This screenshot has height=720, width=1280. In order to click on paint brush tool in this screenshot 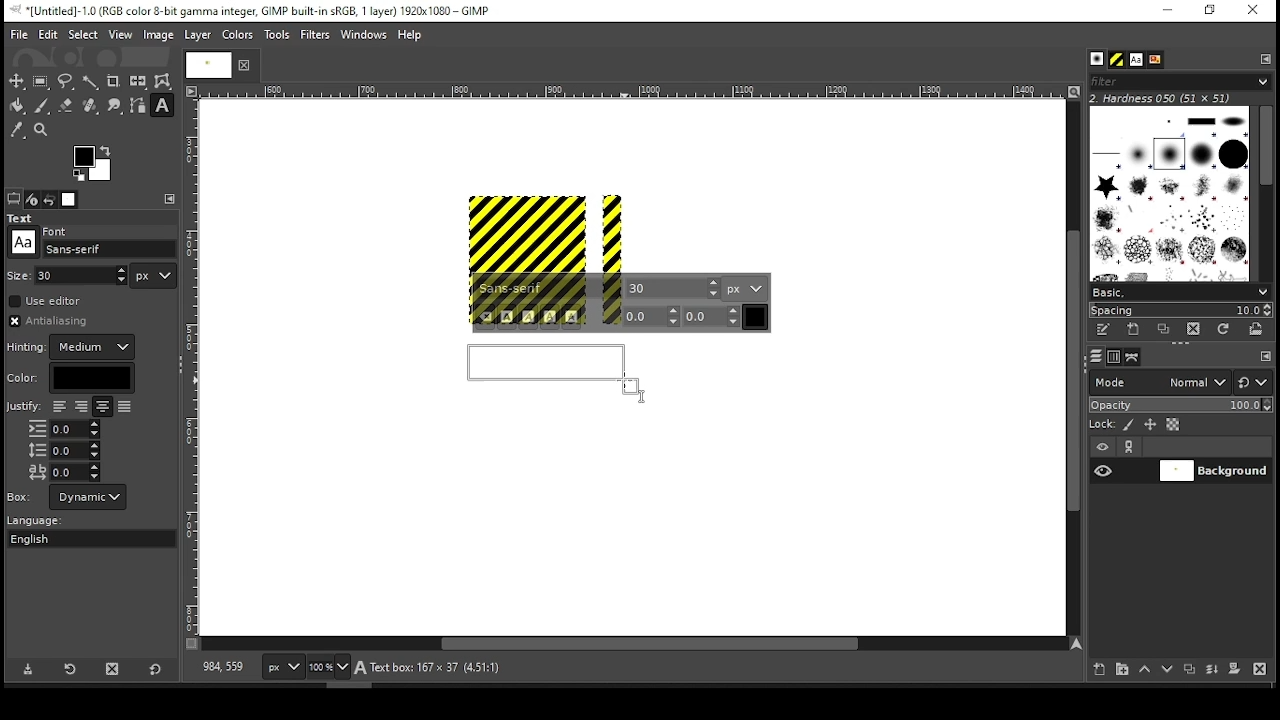, I will do `click(42, 105)`.